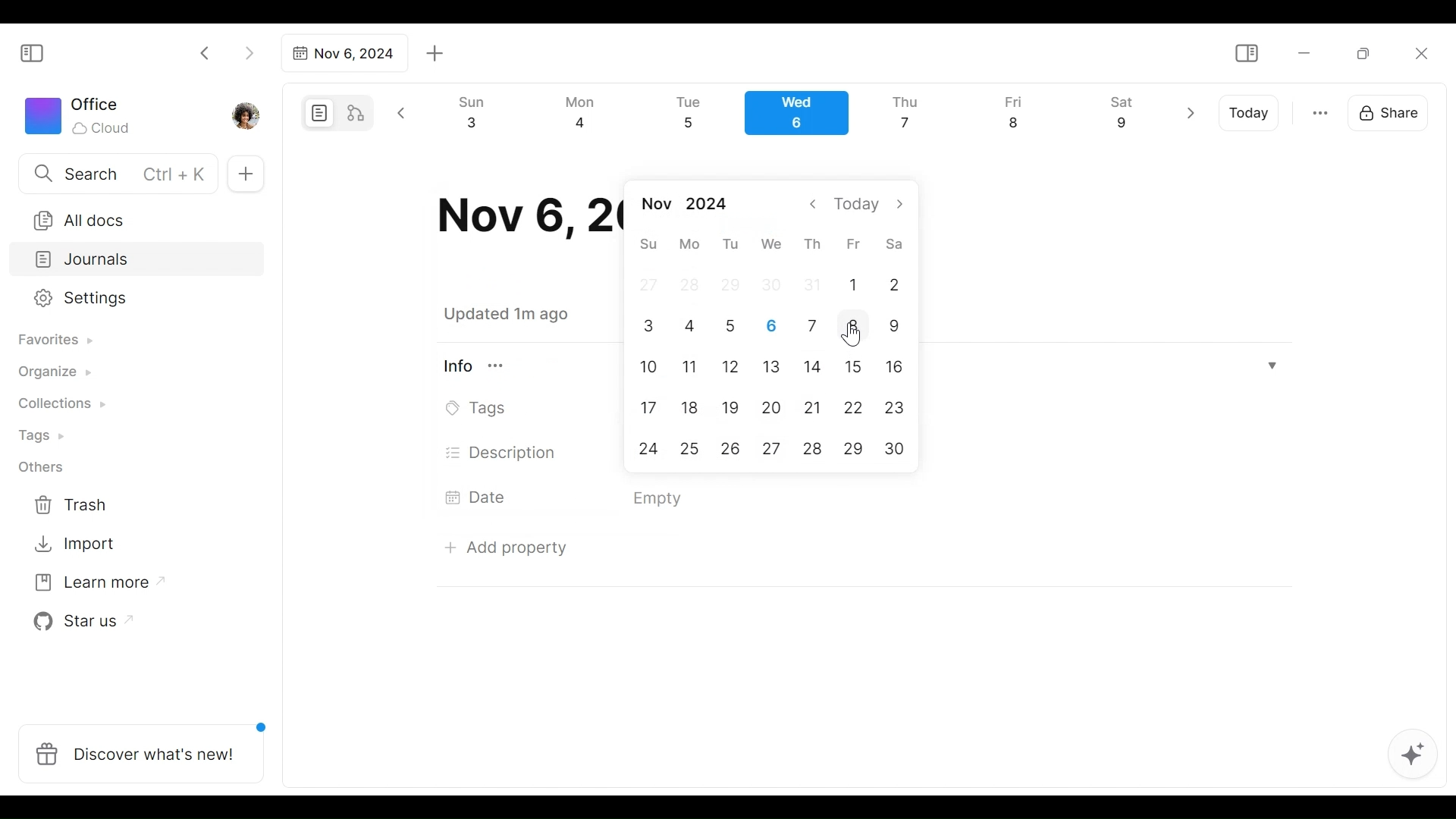 Image resolution: width=1456 pixels, height=819 pixels. I want to click on Description, so click(502, 453).